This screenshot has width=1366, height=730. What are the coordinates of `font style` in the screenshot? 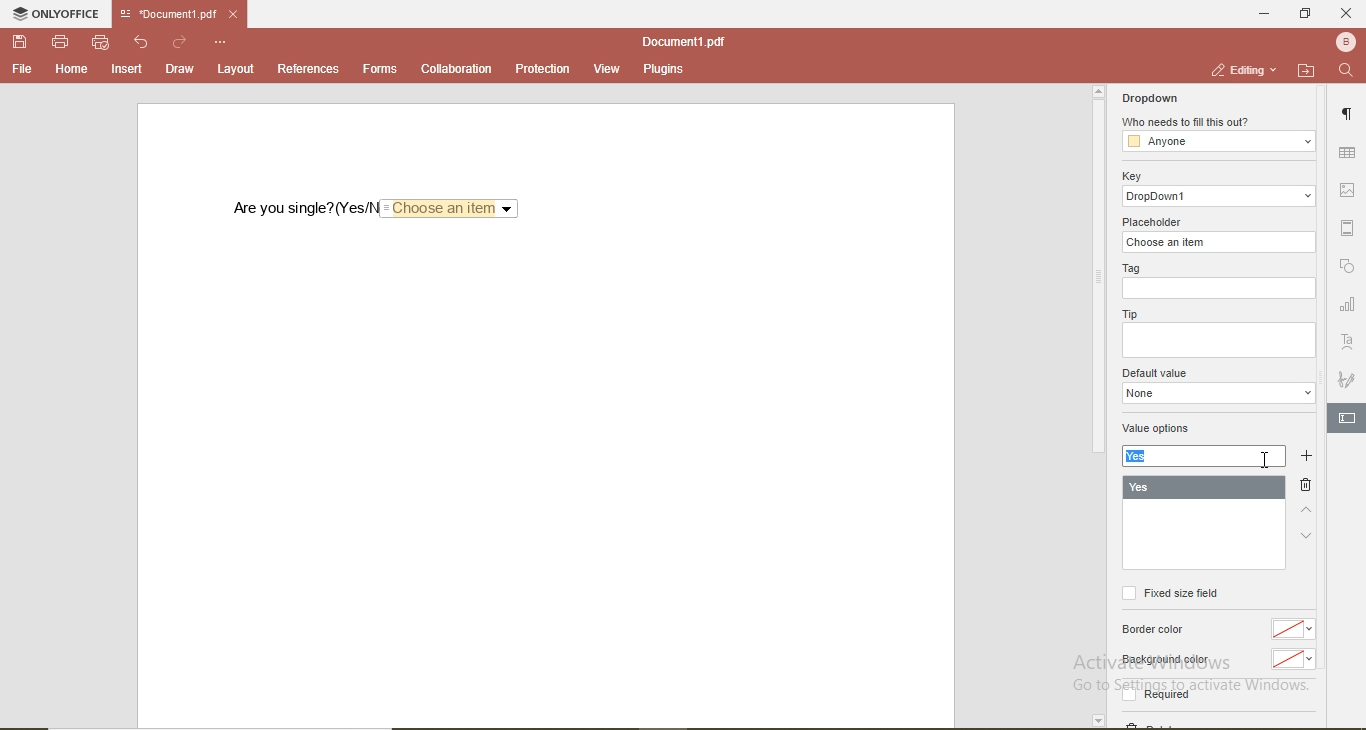 It's located at (1350, 341).